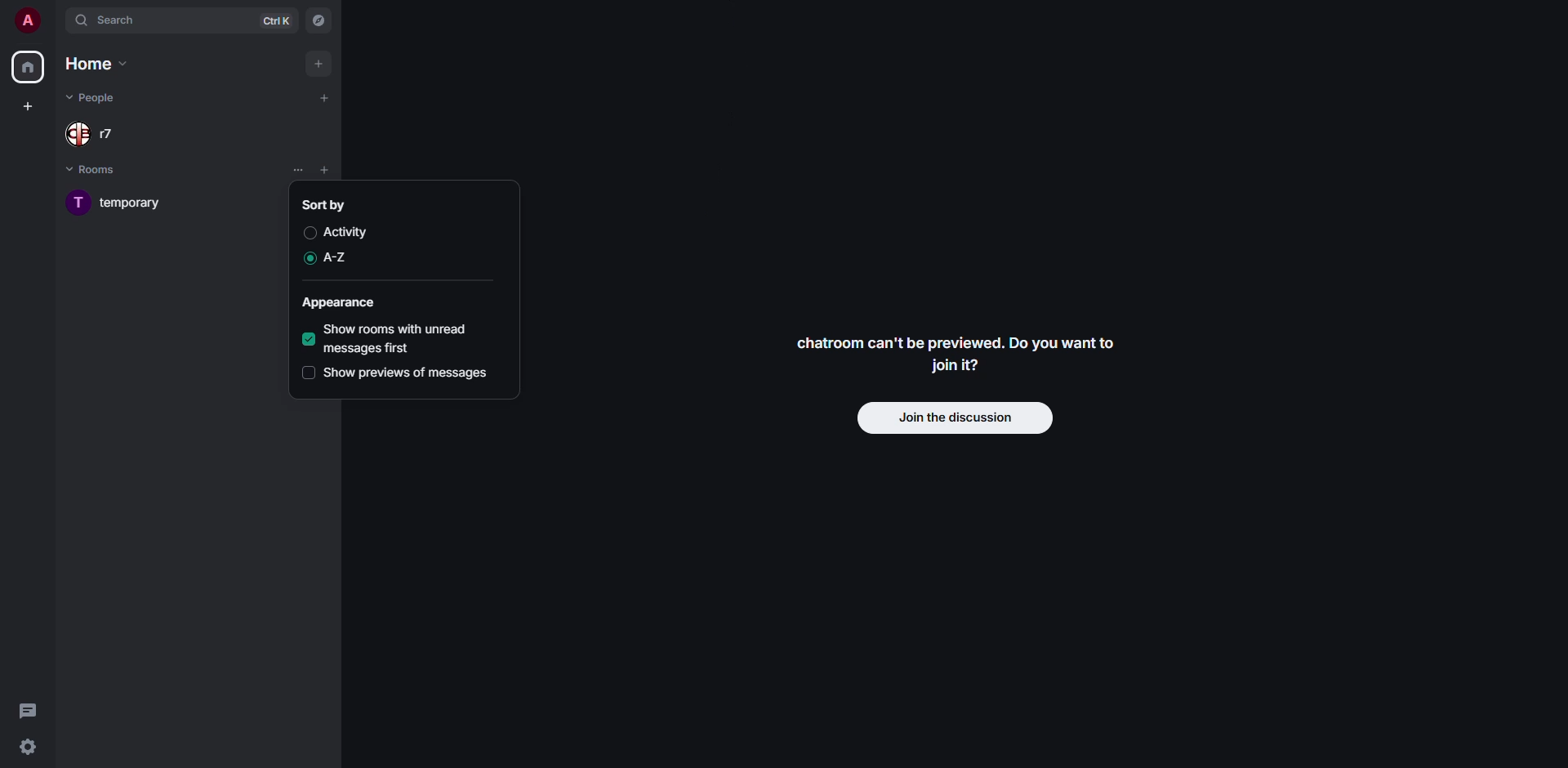  Describe the element at coordinates (324, 96) in the screenshot. I see `add` at that location.